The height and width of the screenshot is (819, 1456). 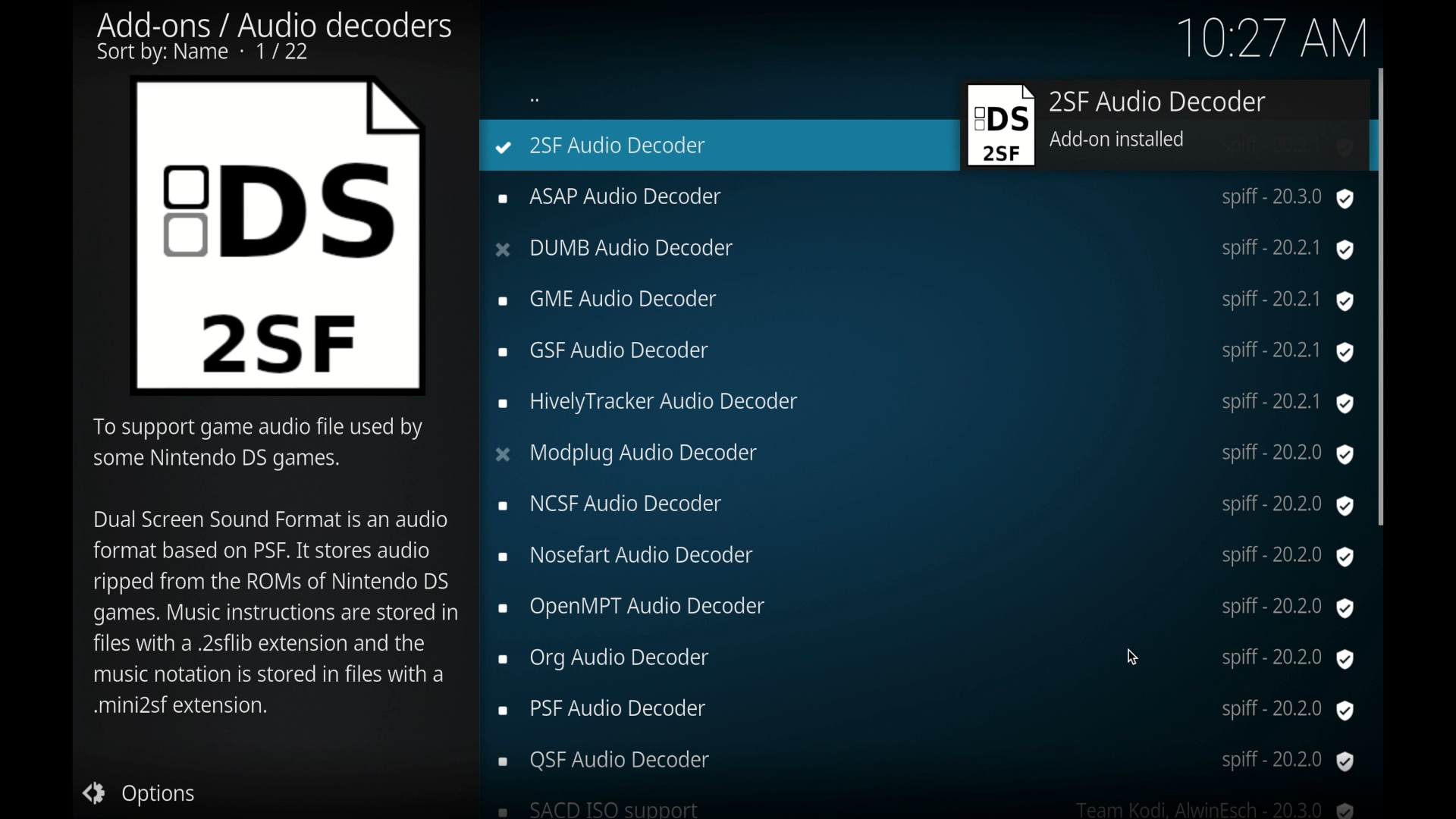 What do you see at coordinates (620, 148) in the screenshot?
I see `2sf` at bounding box center [620, 148].